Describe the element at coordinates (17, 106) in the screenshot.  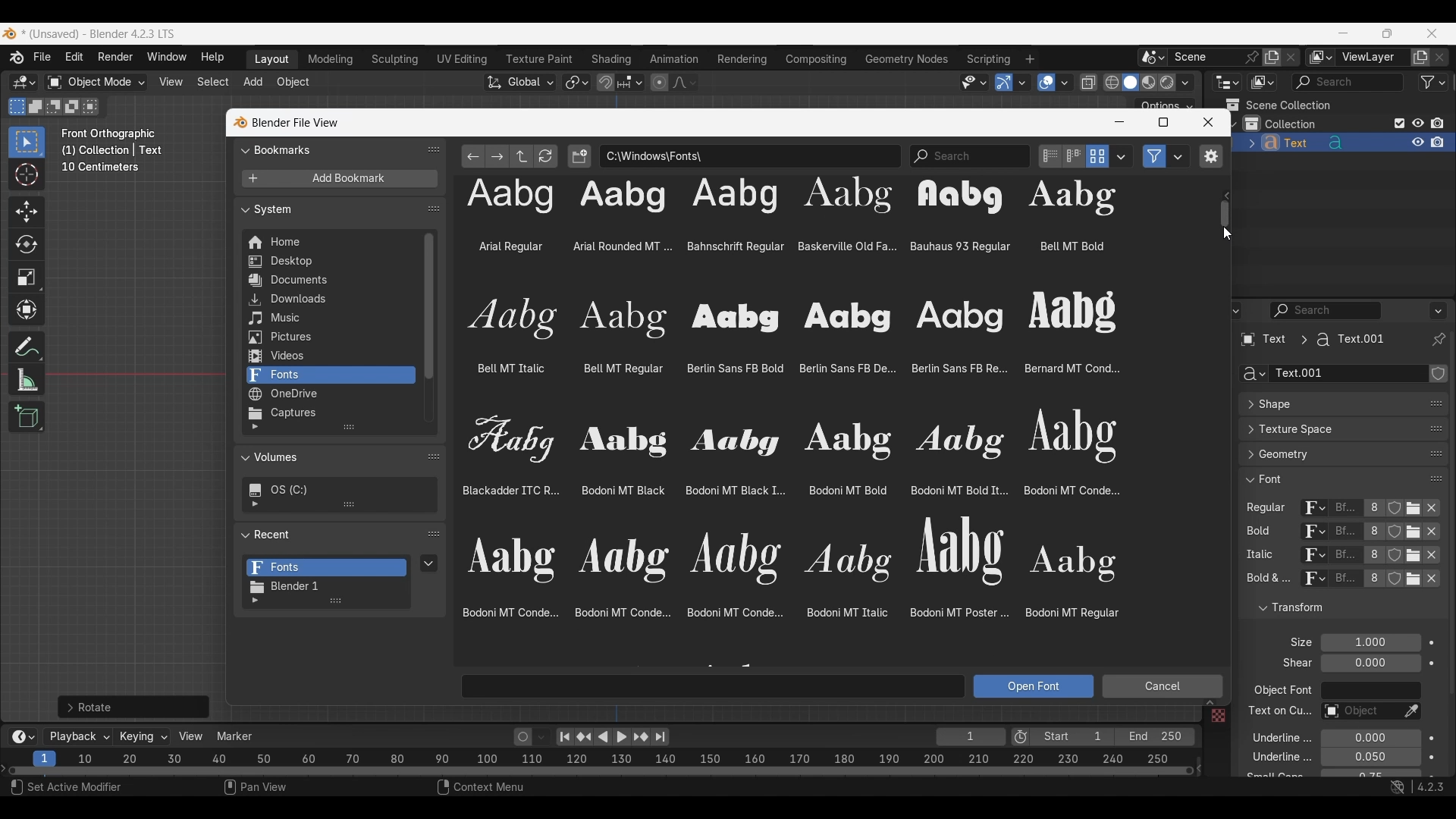
I see `Set a new selection` at that location.